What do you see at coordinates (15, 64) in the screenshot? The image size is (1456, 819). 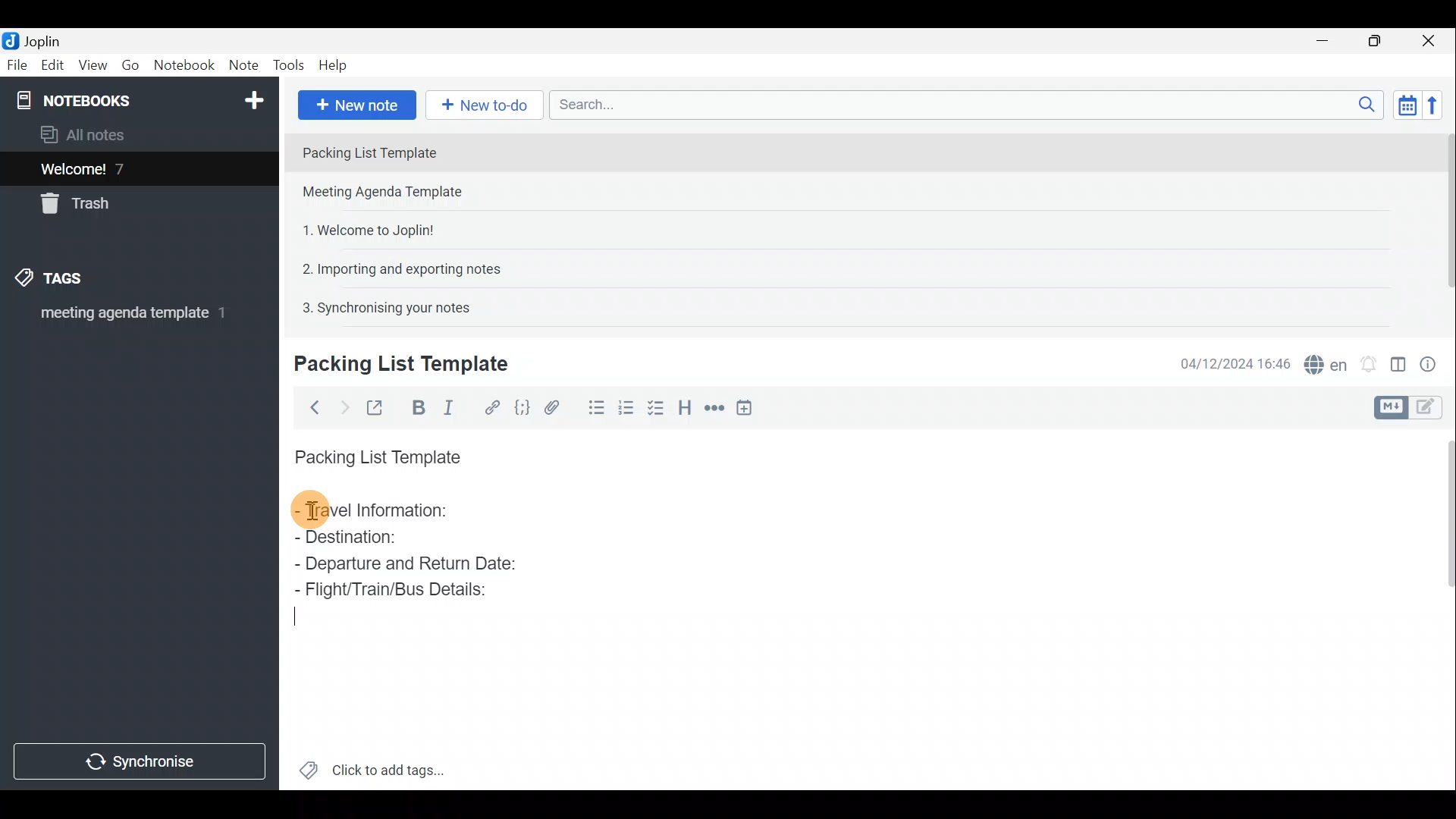 I see `File` at bounding box center [15, 64].